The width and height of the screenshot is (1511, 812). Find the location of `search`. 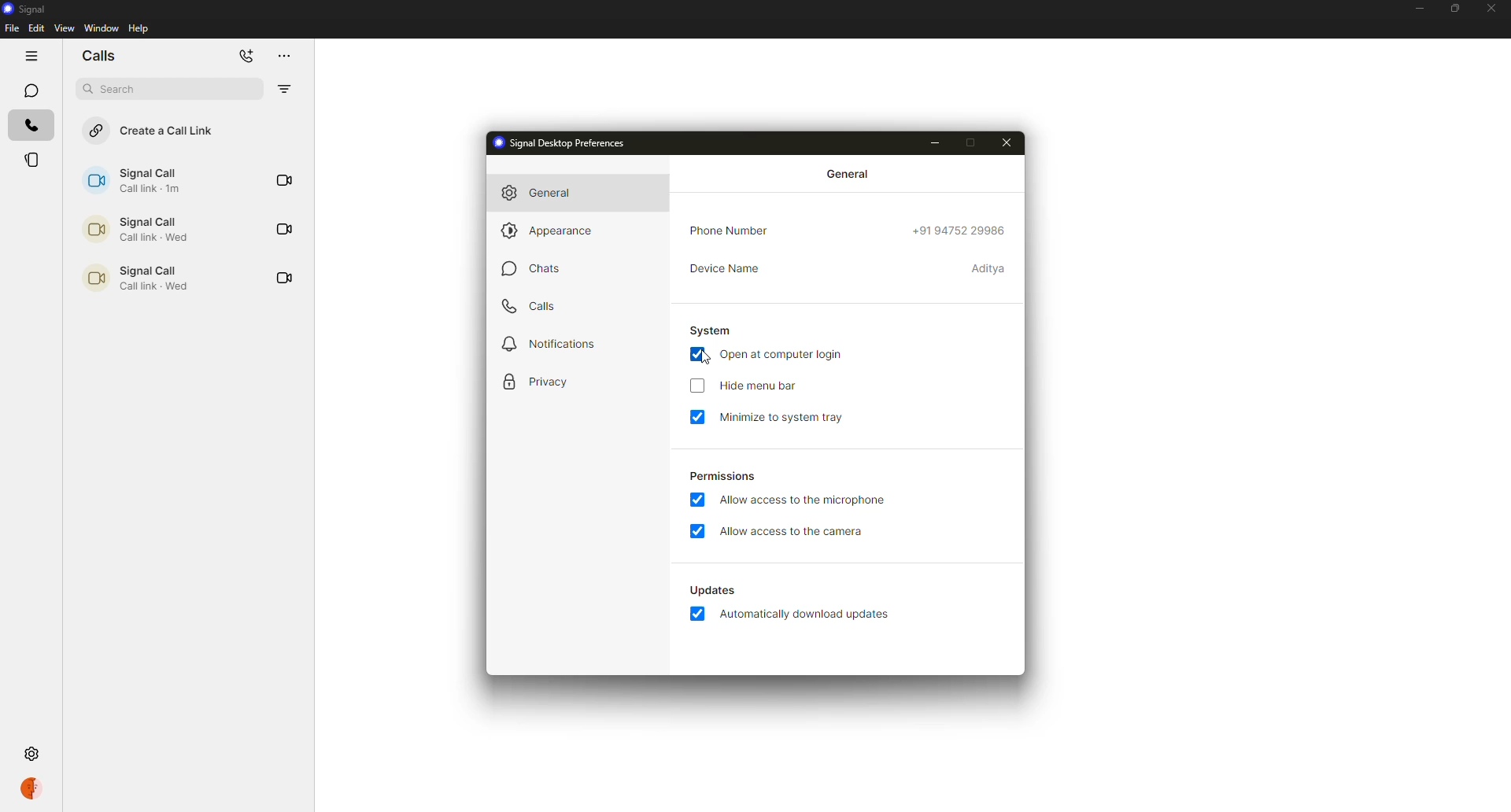

search is located at coordinates (116, 89).